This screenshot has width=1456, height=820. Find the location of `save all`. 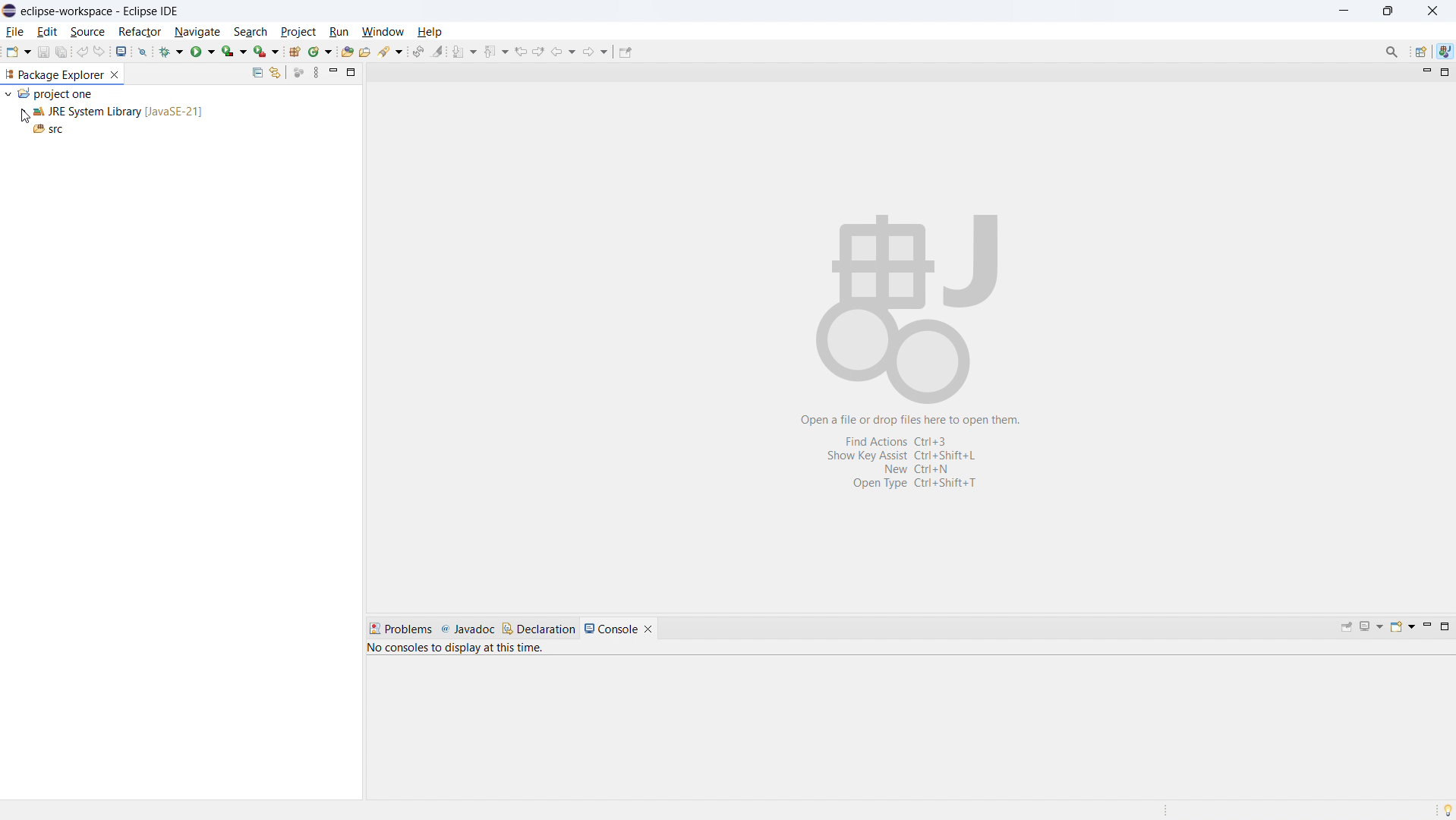

save all is located at coordinates (62, 52).